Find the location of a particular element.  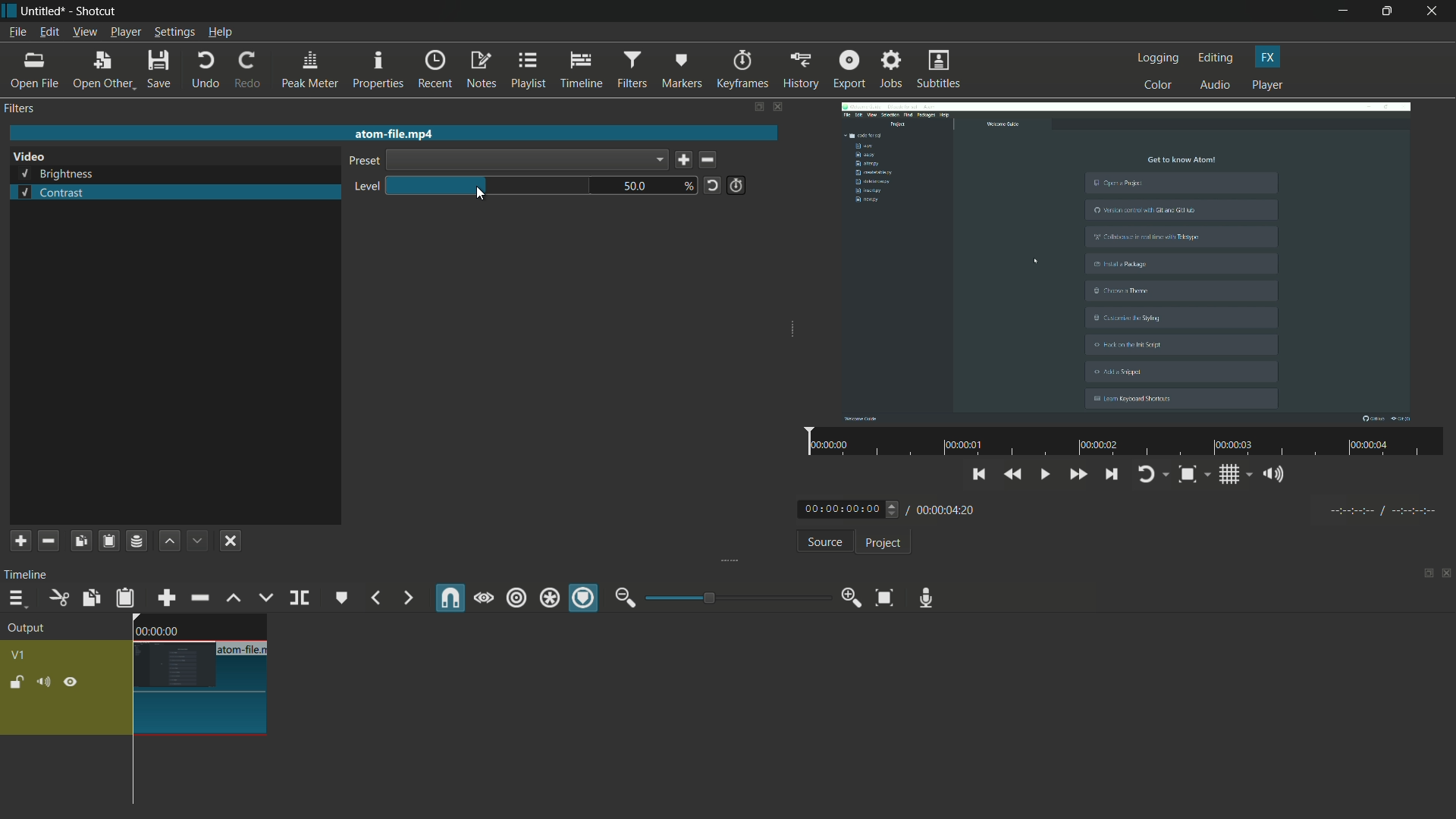

add filter is located at coordinates (20, 541).